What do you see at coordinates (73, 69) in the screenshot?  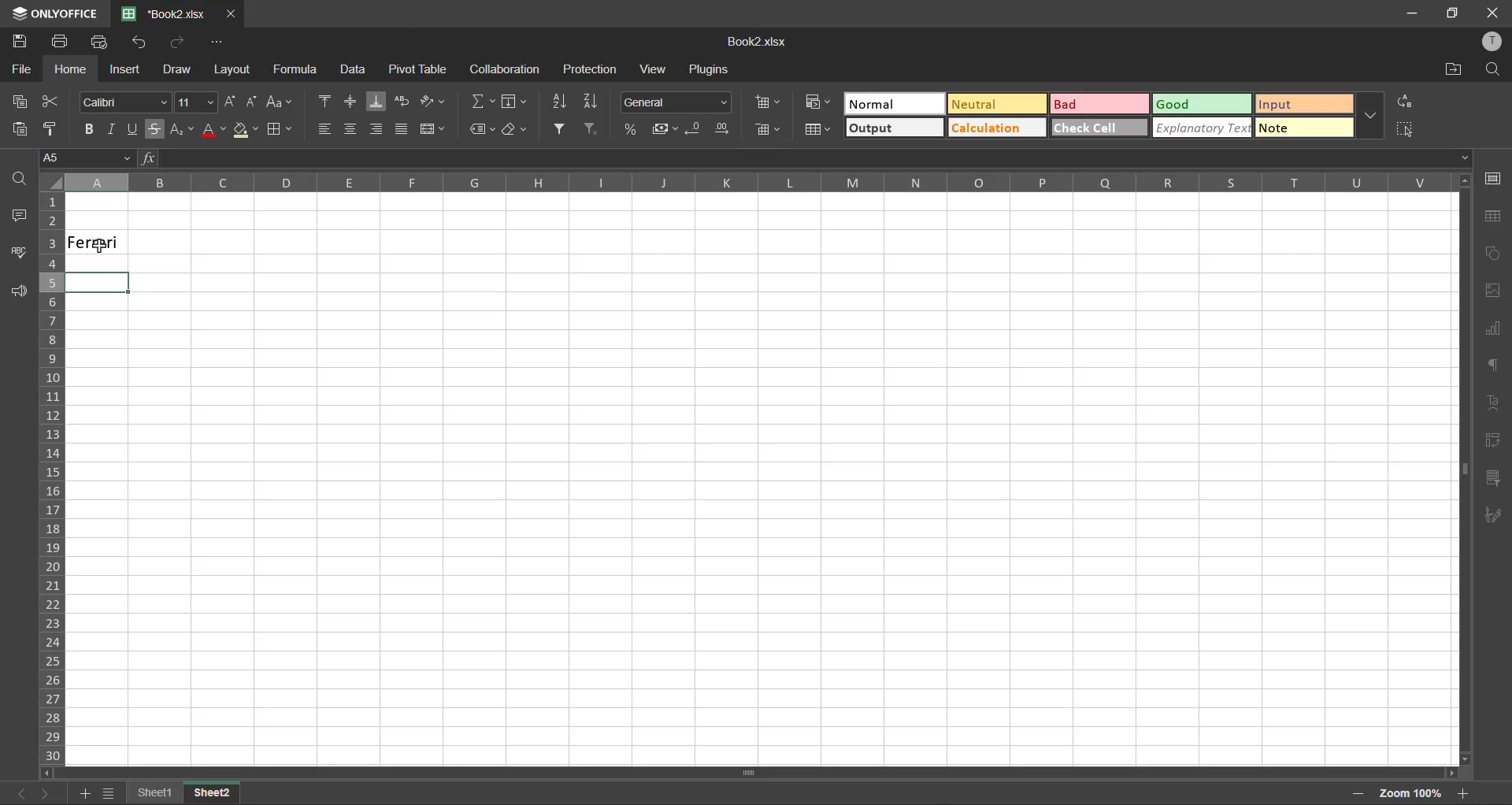 I see `home` at bounding box center [73, 69].